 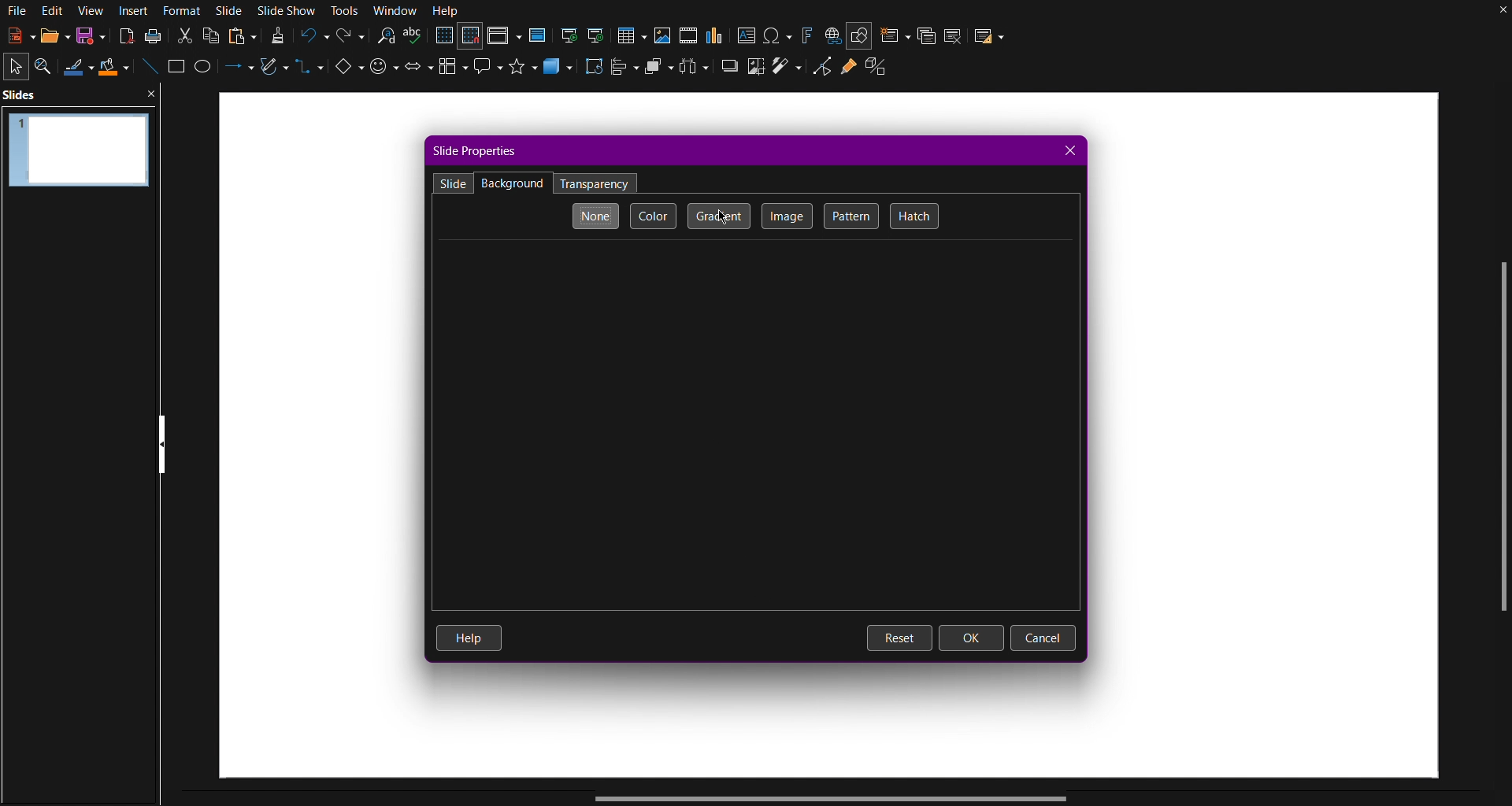 I want to click on Toggle Point Edit, so click(x=820, y=72).